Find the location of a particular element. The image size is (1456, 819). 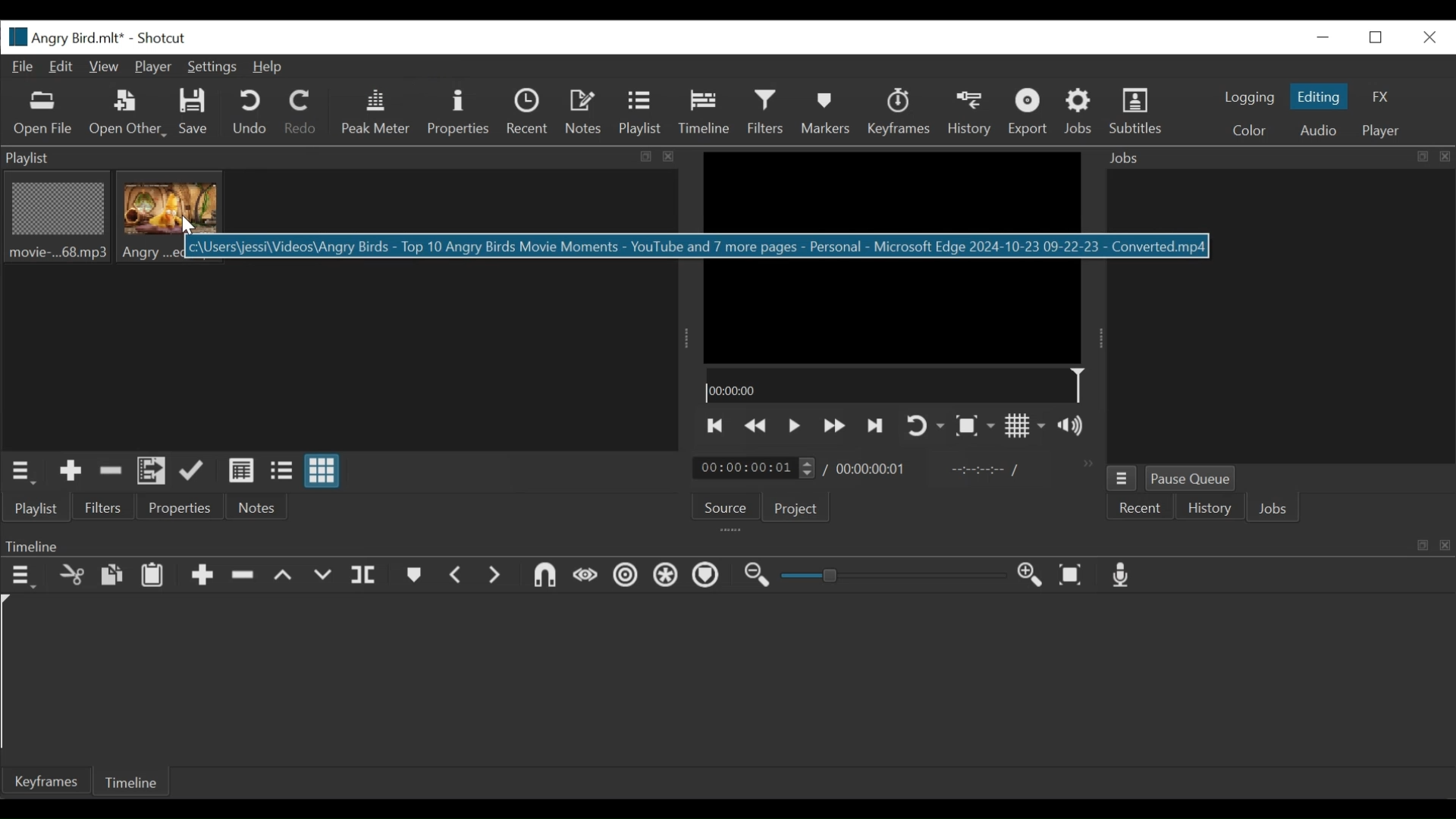

Help is located at coordinates (269, 68).